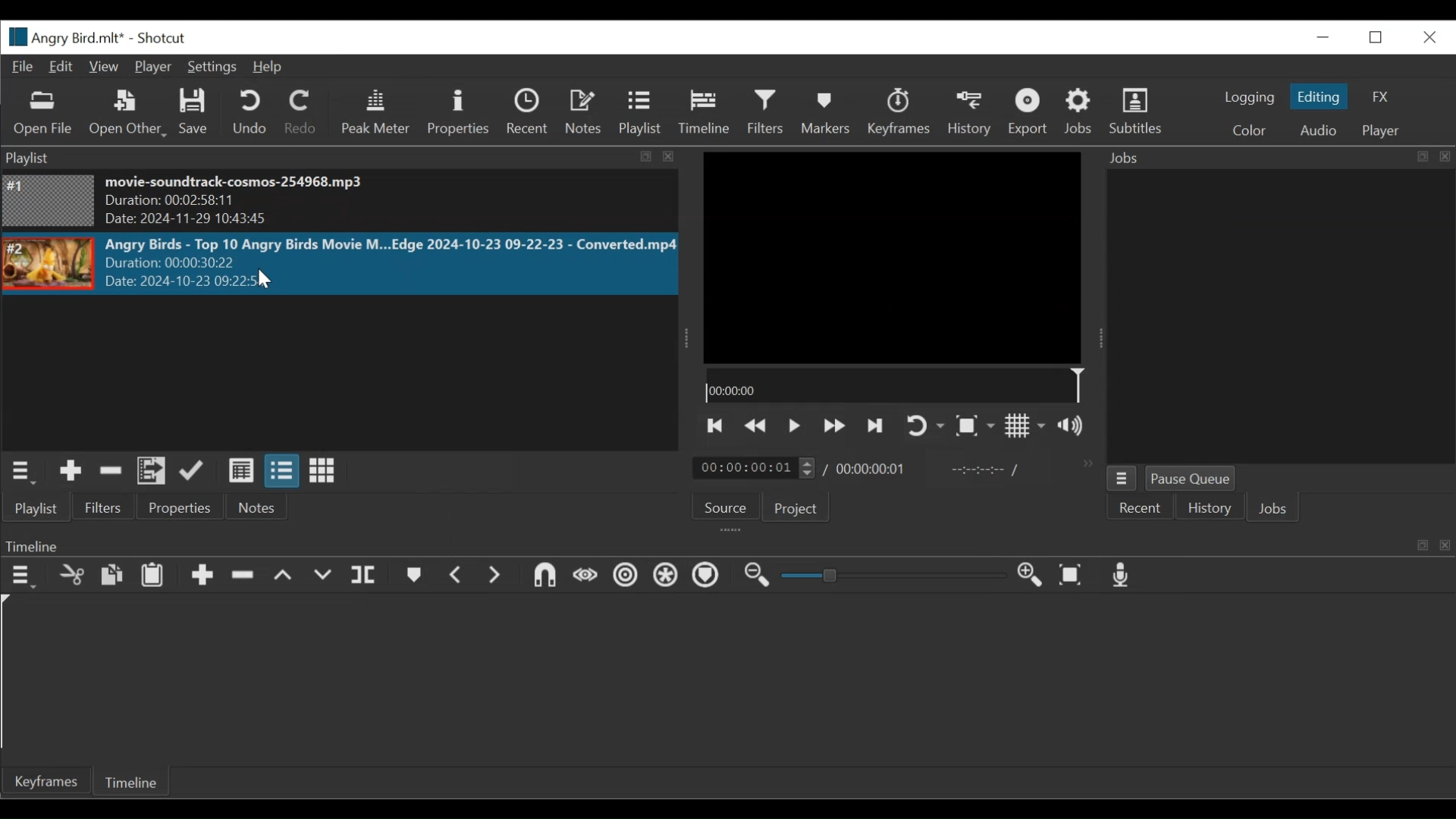  I want to click on Keyframes, so click(897, 111).